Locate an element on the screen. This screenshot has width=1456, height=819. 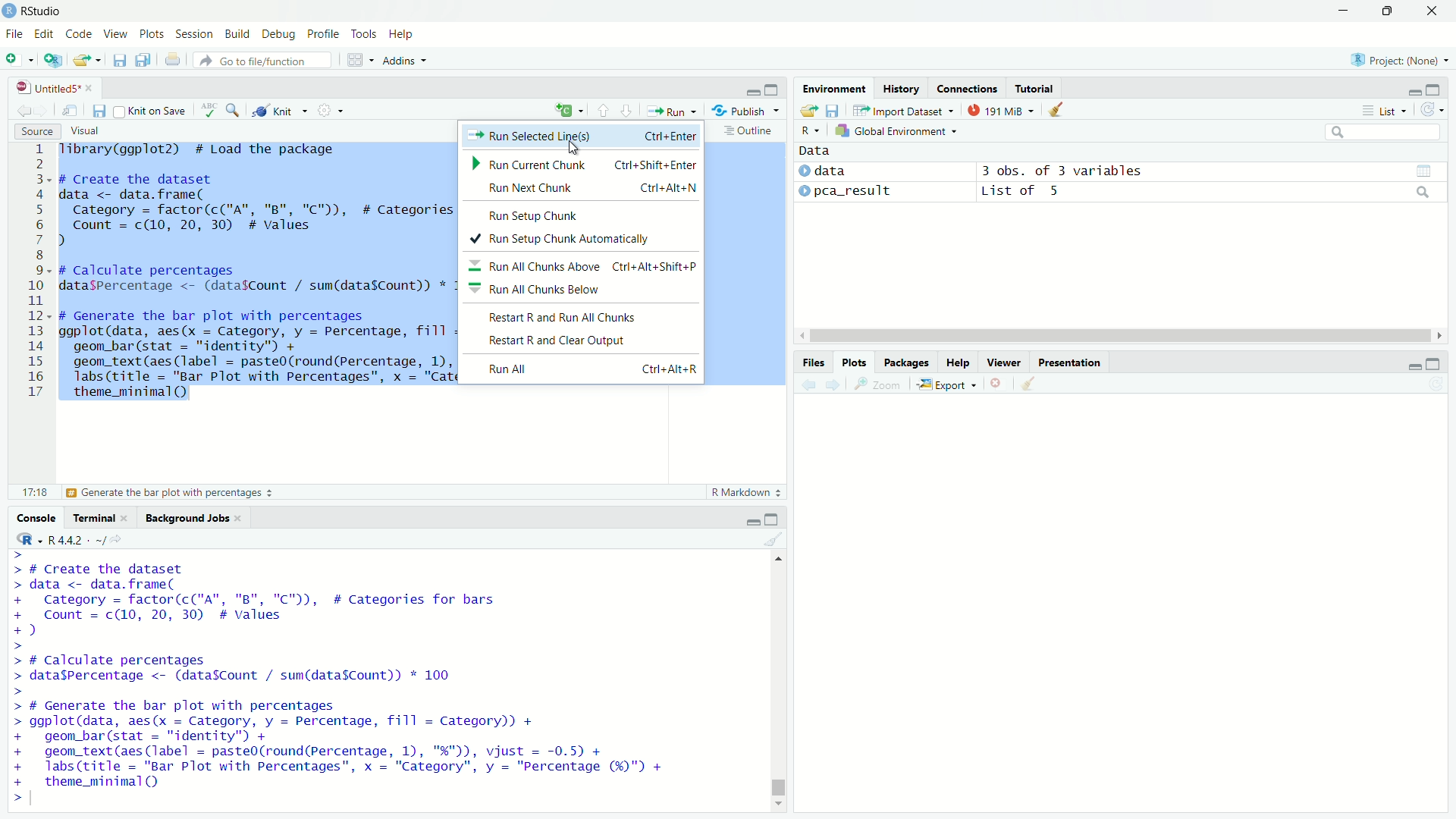
environment is located at coordinates (835, 88).